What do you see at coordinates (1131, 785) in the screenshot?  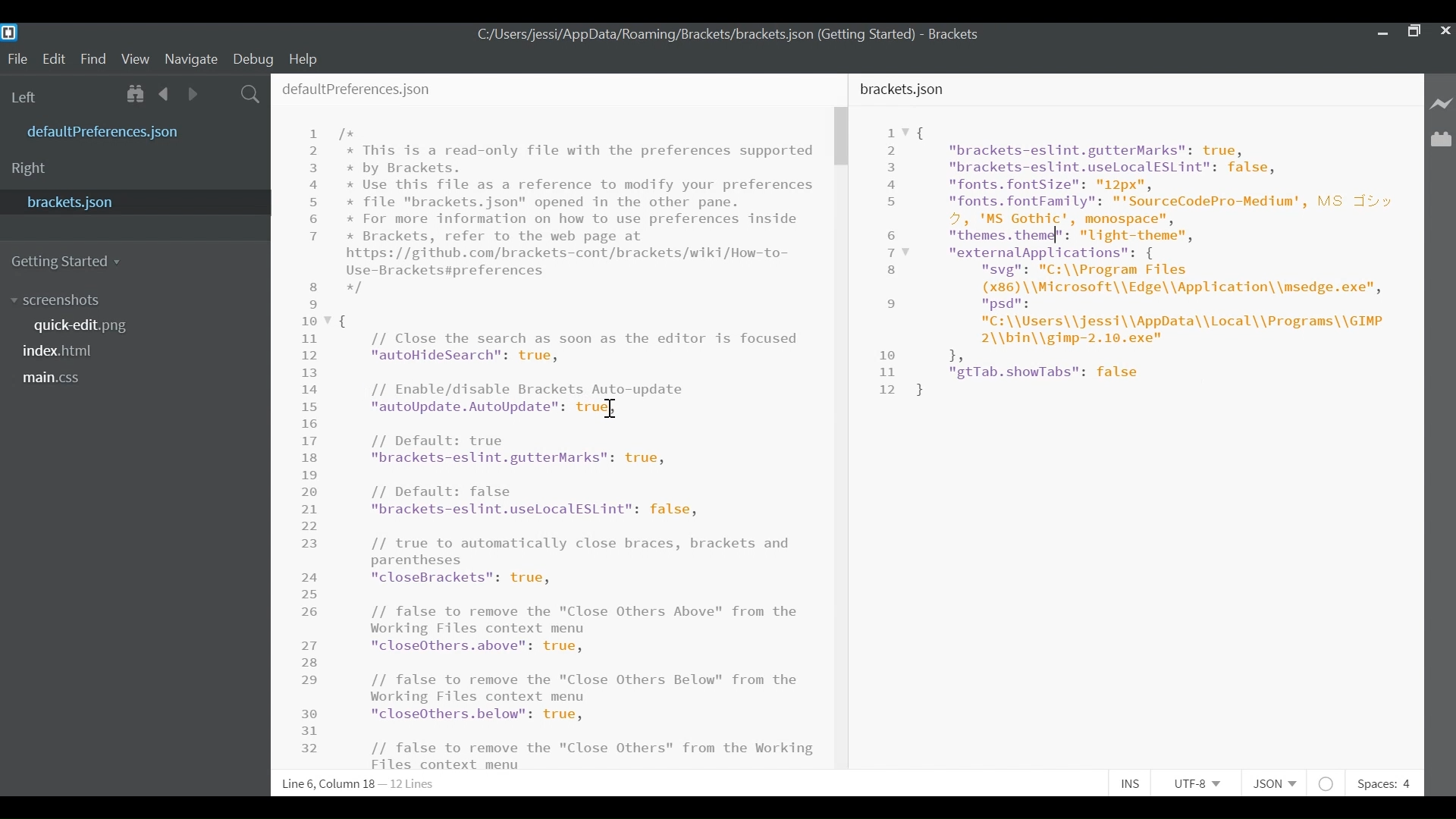 I see `Toggle Insert or Overwrite` at bounding box center [1131, 785].